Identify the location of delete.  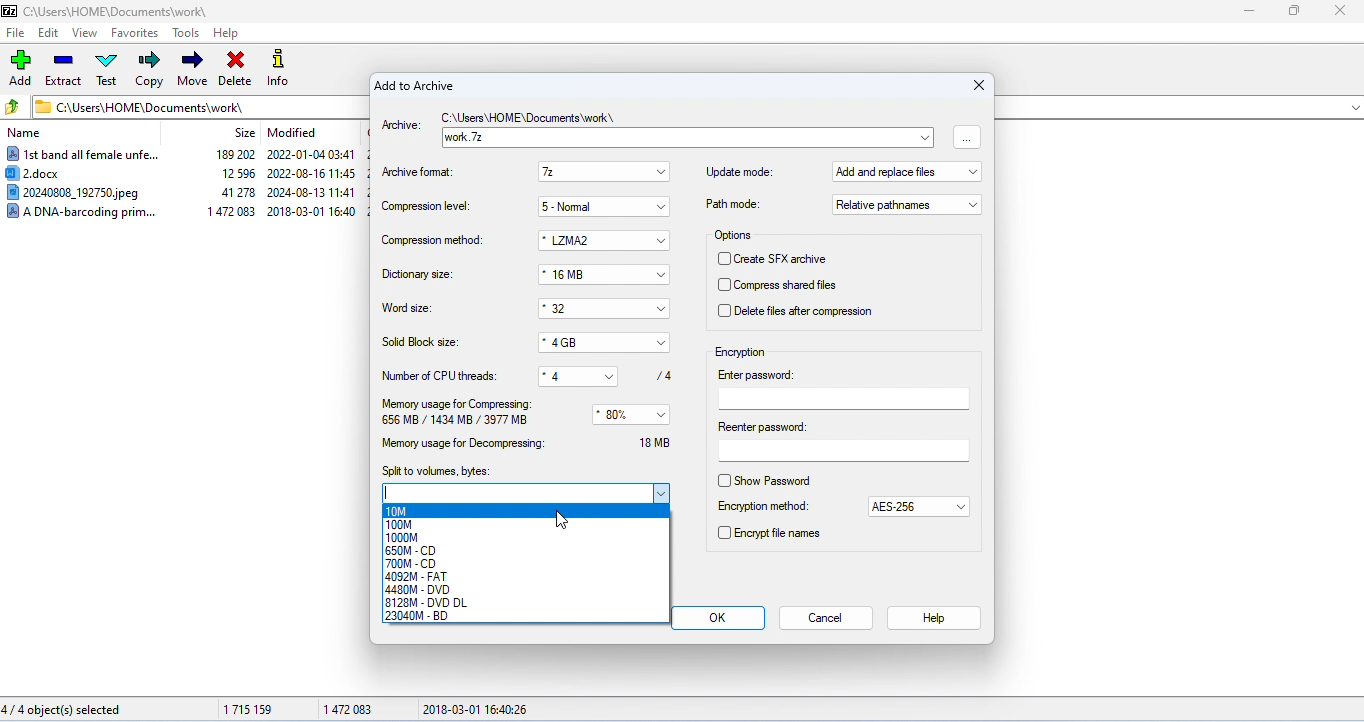
(234, 70).